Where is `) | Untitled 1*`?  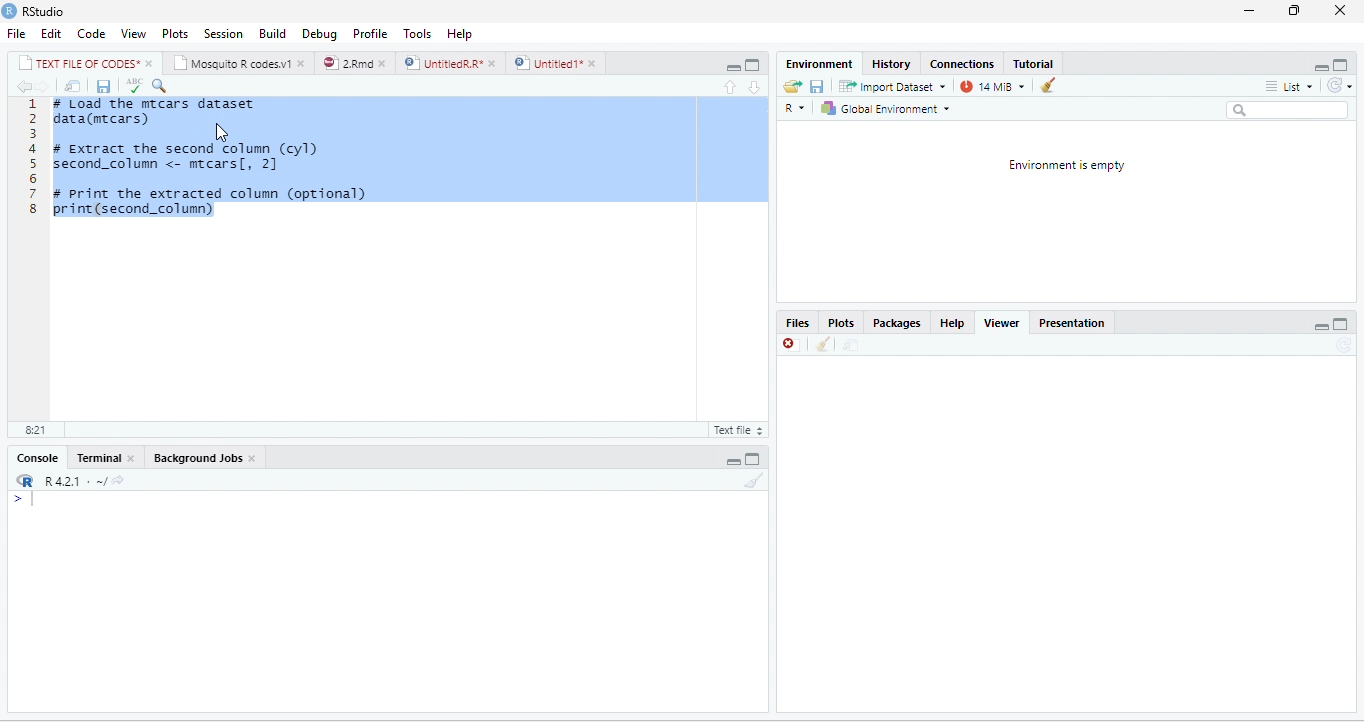
) | Untitled 1* is located at coordinates (547, 63).